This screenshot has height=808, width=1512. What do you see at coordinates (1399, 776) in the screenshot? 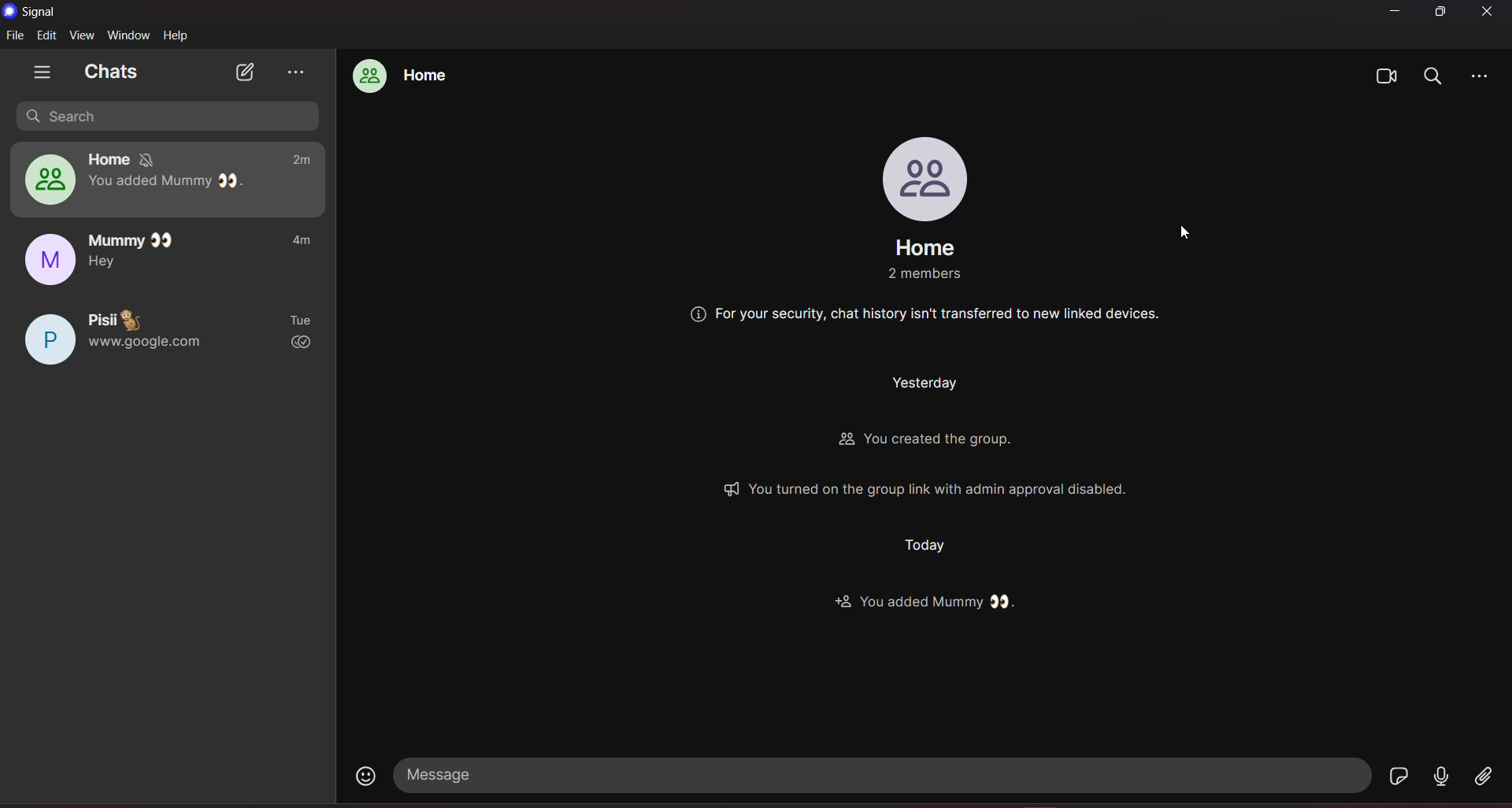
I see `stickers` at bounding box center [1399, 776].